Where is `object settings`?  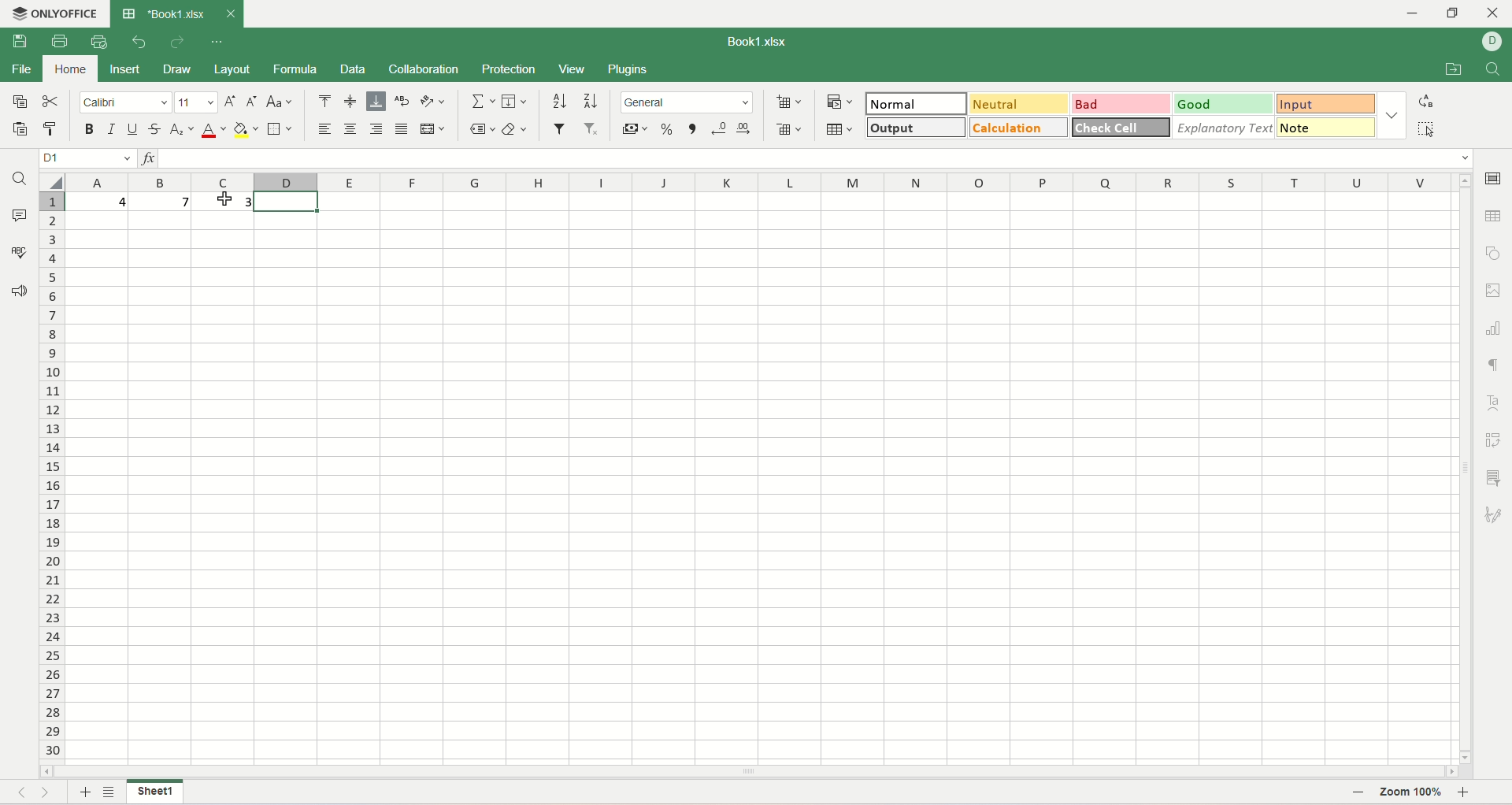 object settings is located at coordinates (1493, 250).